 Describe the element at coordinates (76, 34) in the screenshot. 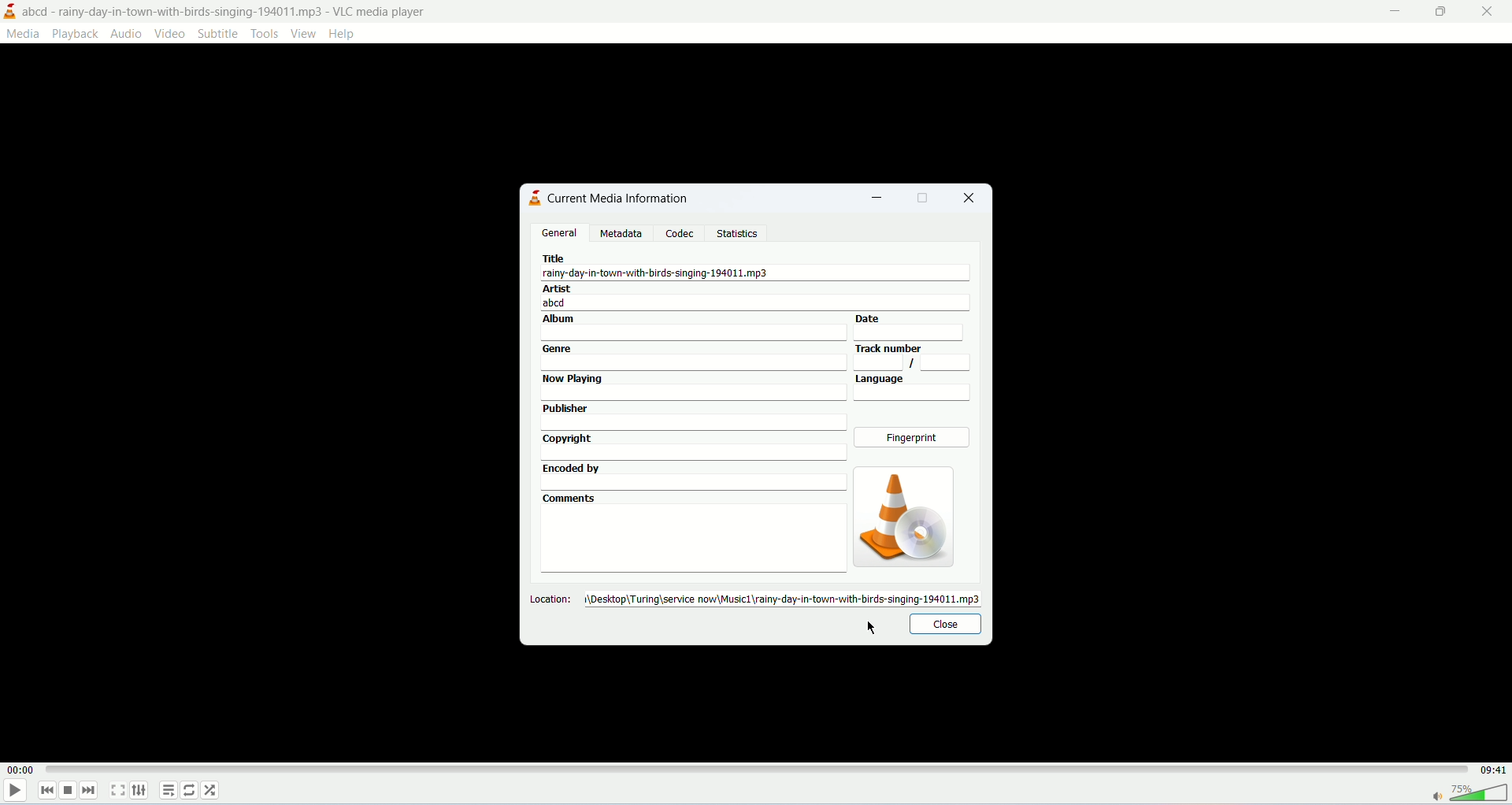

I see `playback` at that location.